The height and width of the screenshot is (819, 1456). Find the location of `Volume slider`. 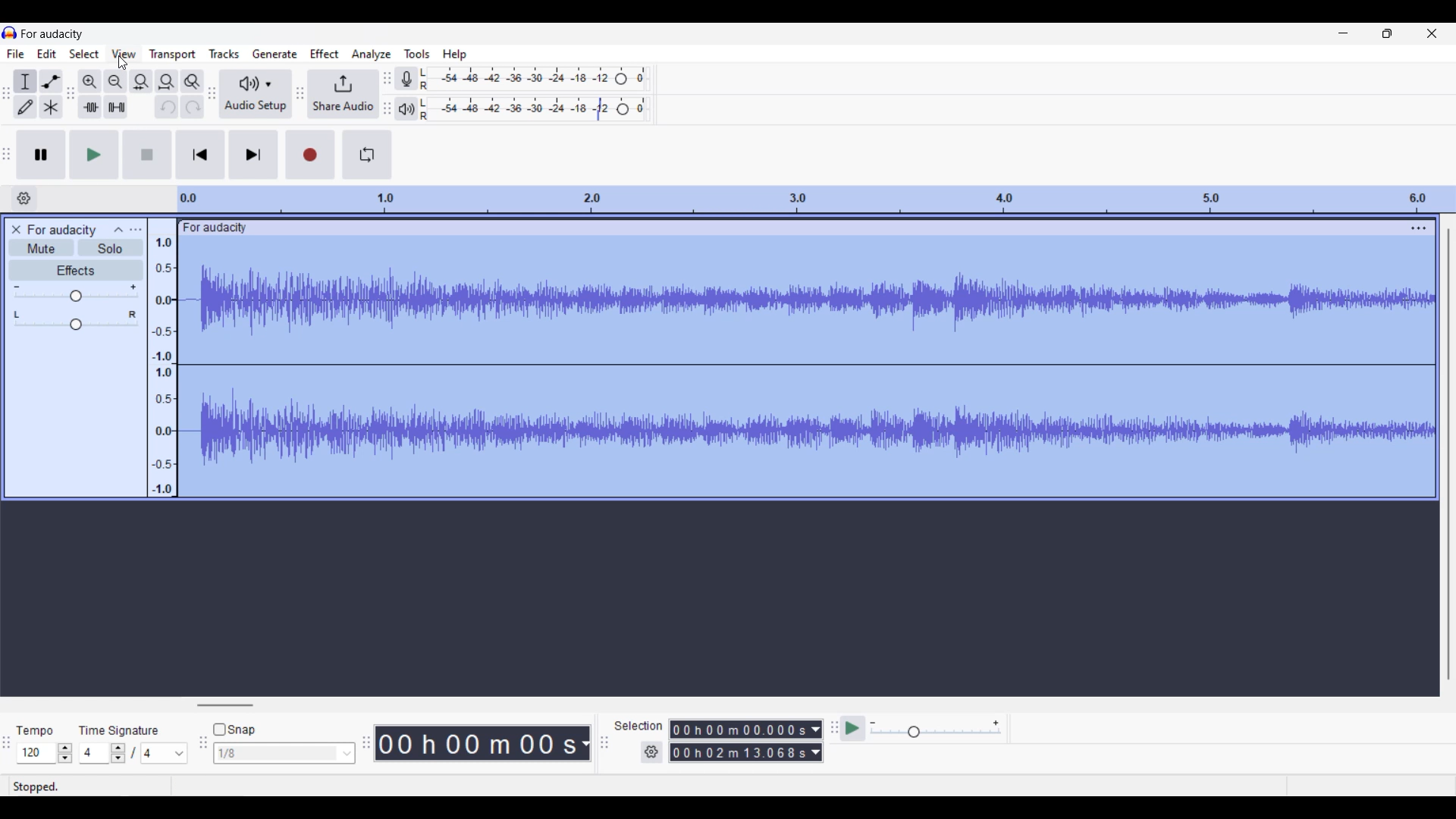

Volume slider is located at coordinates (75, 293).